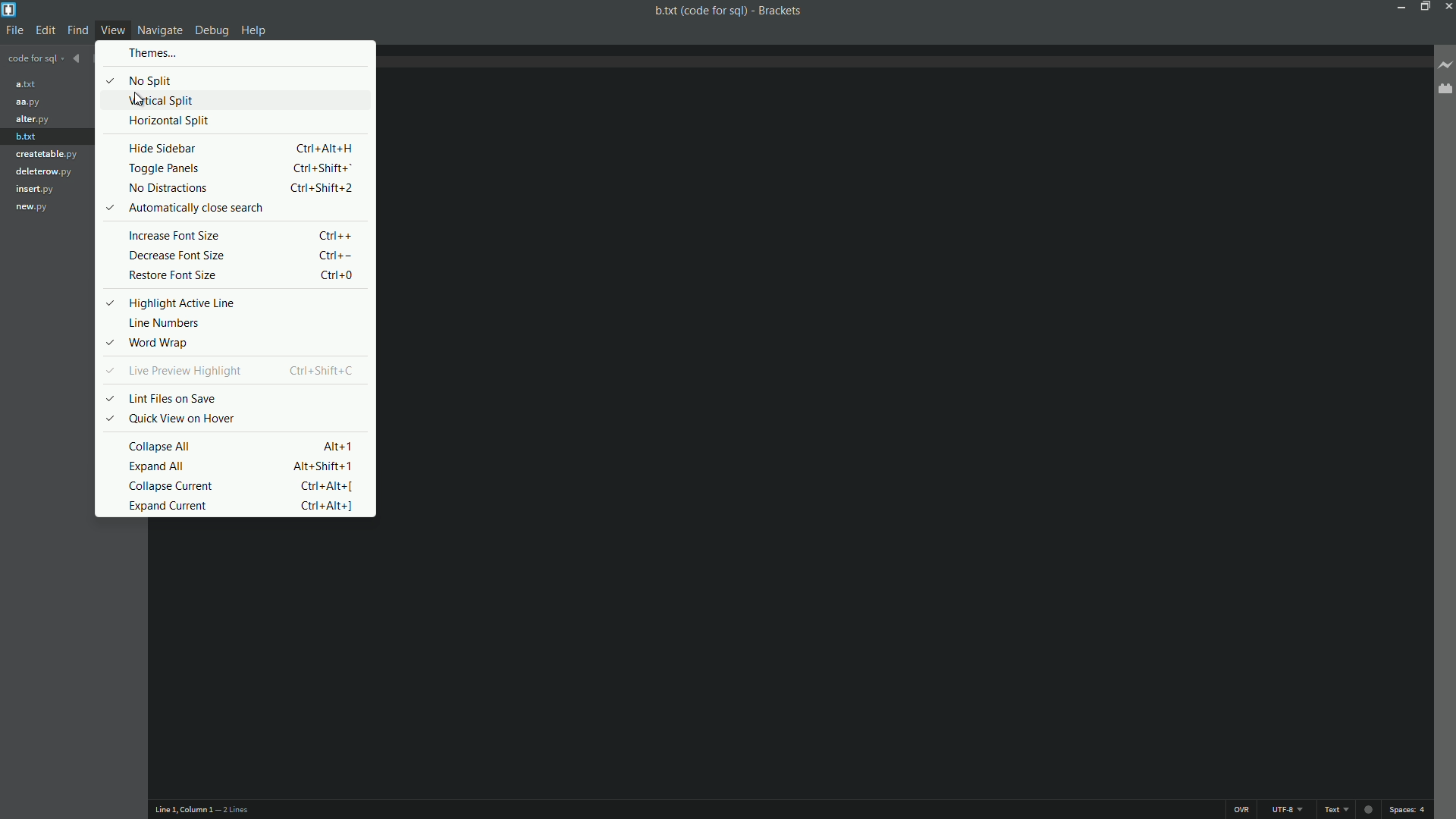 The width and height of the screenshot is (1456, 819). What do you see at coordinates (240, 446) in the screenshot?
I see `collapse all` at bounding box center [240, 446].